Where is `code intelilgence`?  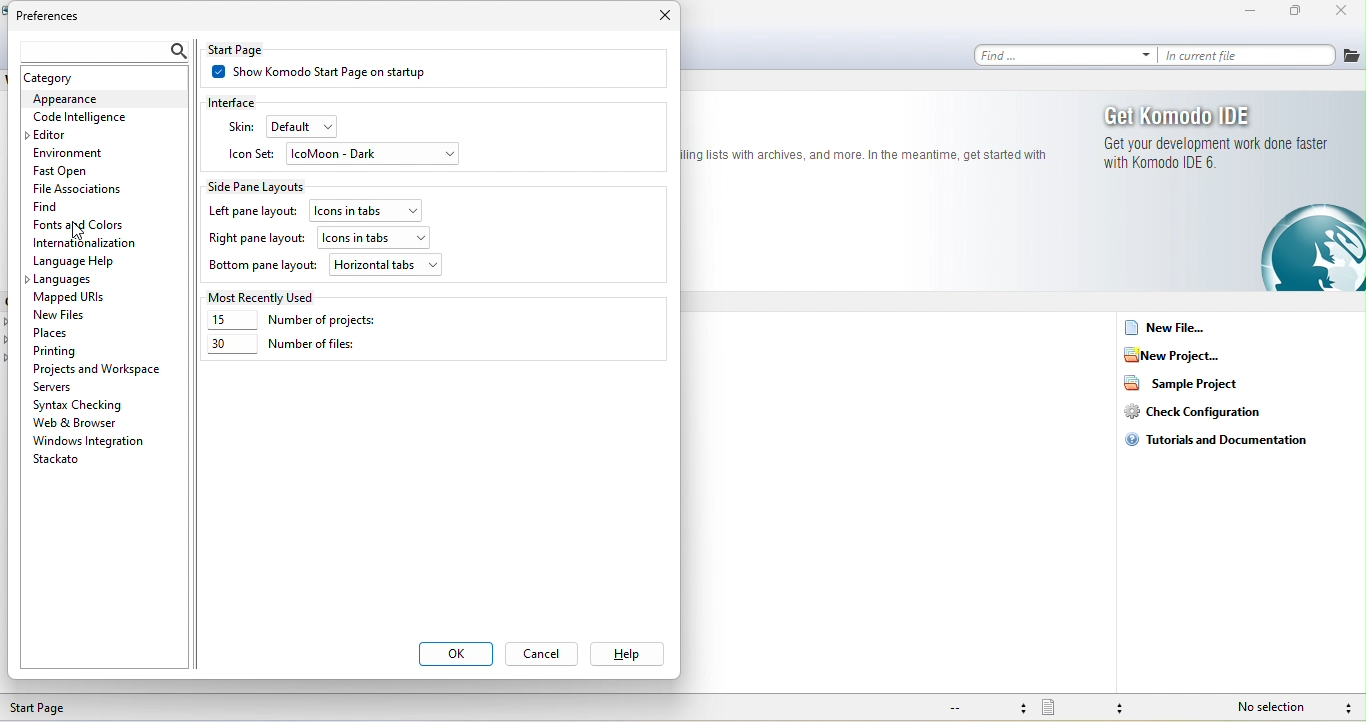 code intelilgence is located at coordinates (95, 118).